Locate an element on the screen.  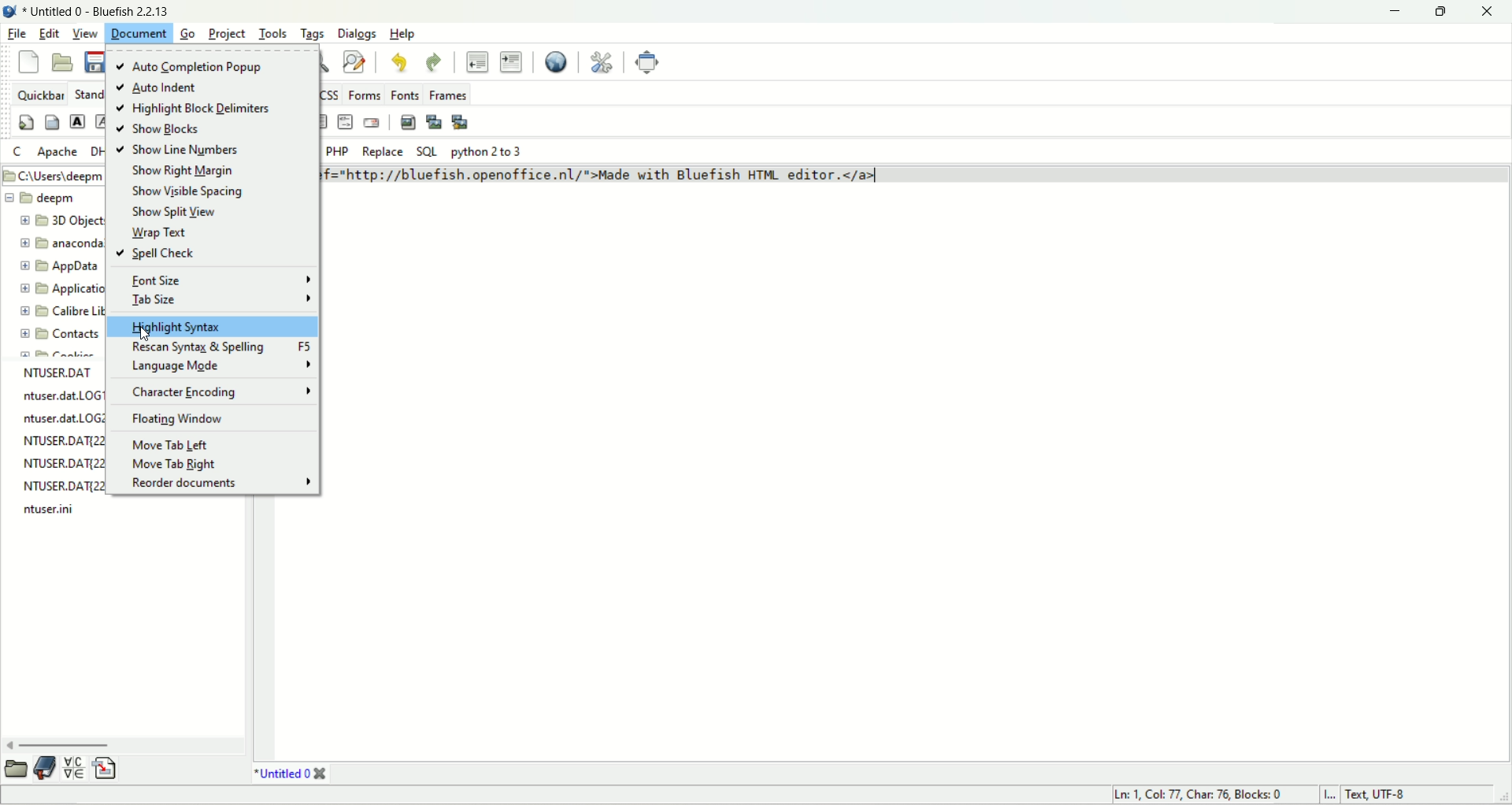
spell check is located at coordinates (157, 254).